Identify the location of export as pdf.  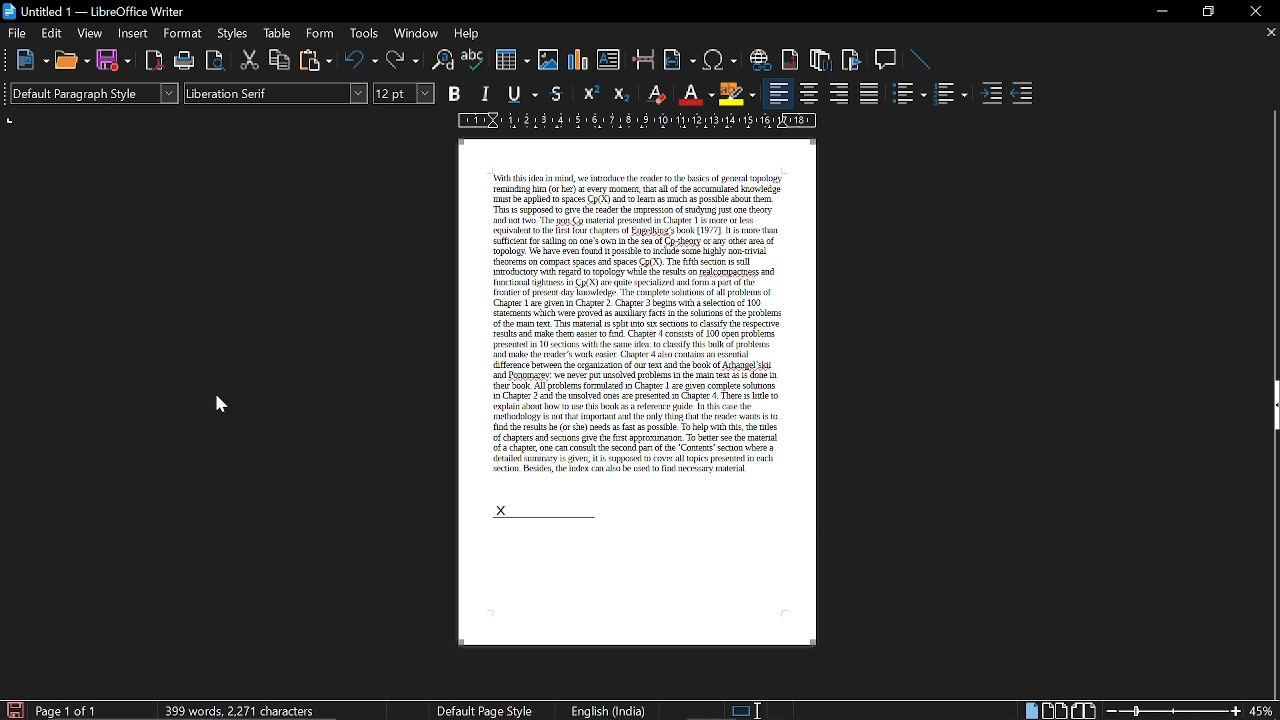
(154, 62).